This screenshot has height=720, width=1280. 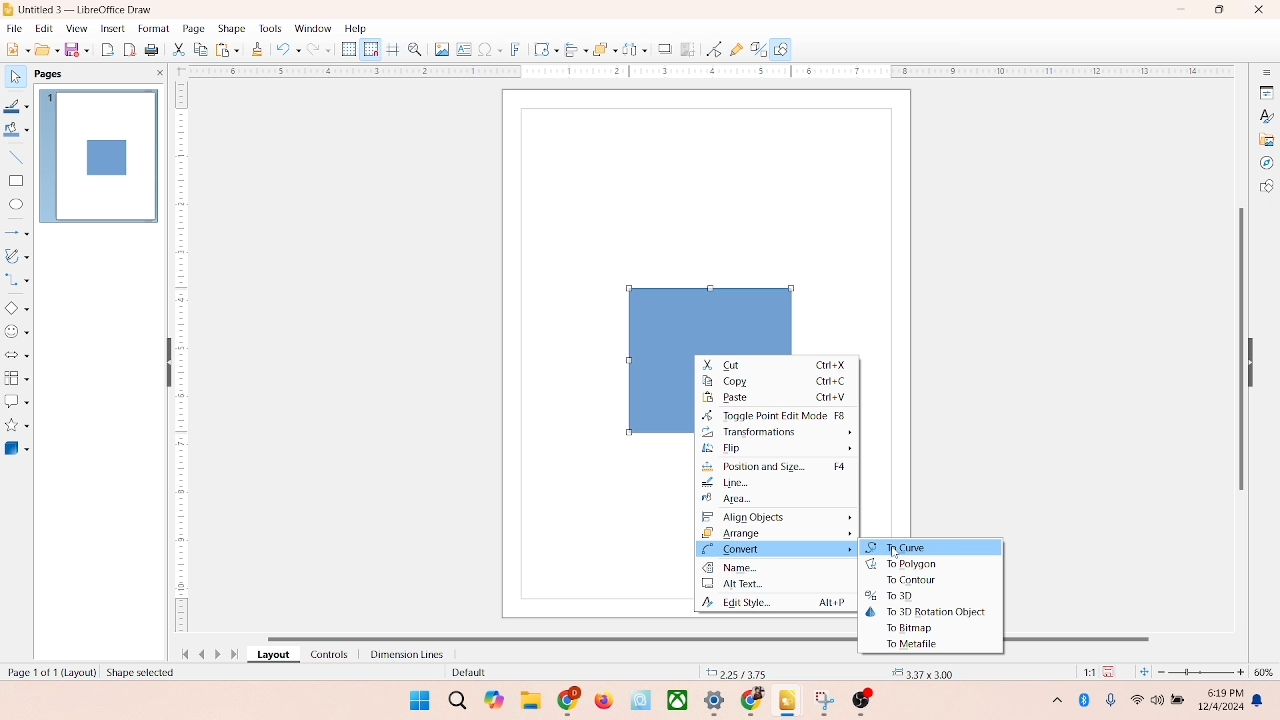 I want to click on page 1, so click(x=99, y=155).